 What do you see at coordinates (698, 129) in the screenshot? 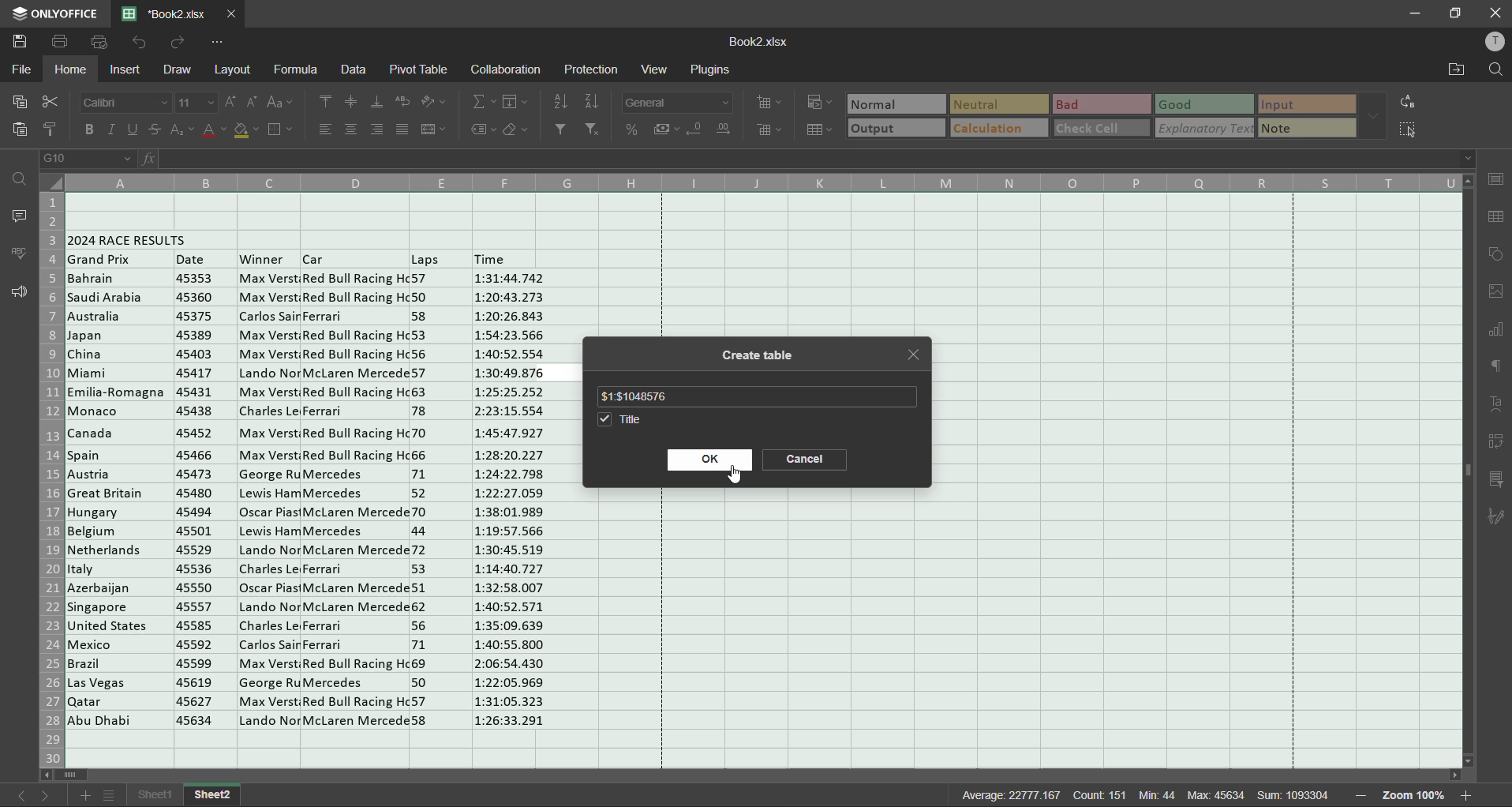
I see `decrease decimal` at bounding box center [698, 129].